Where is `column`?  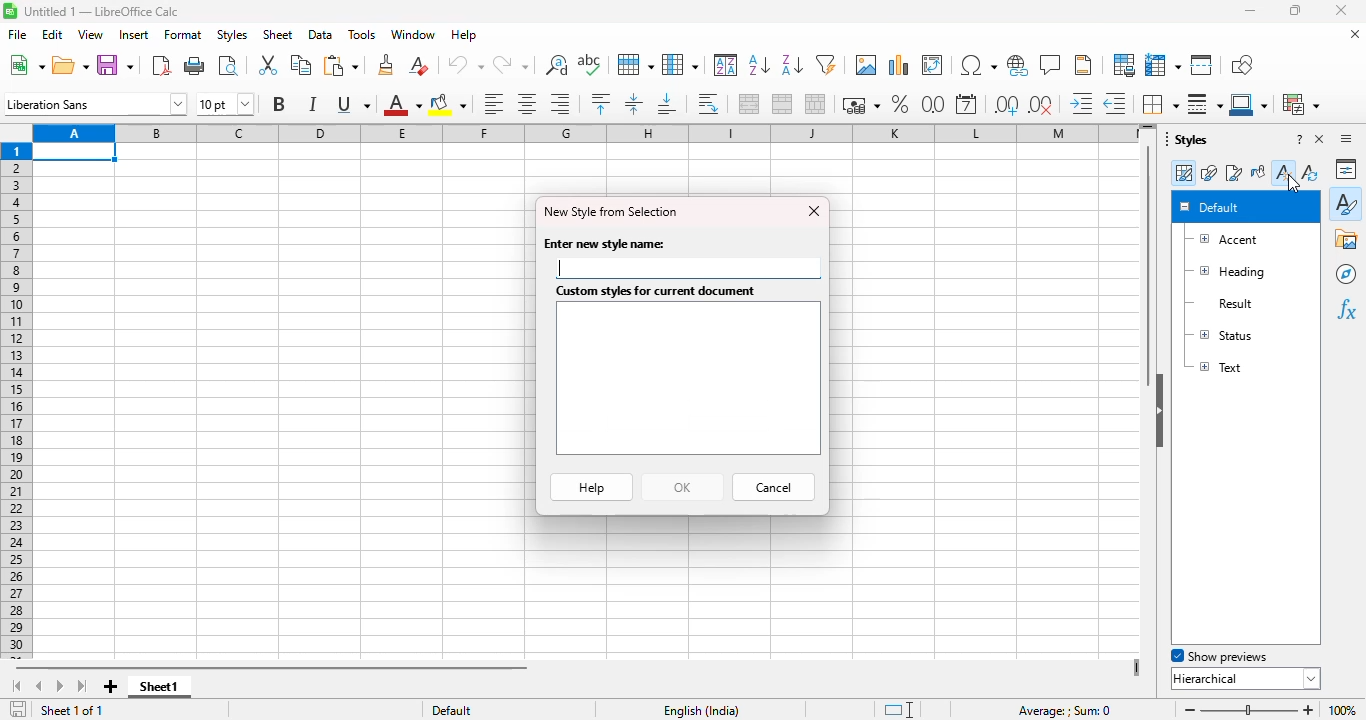 column is located at coordinates (680, 65).